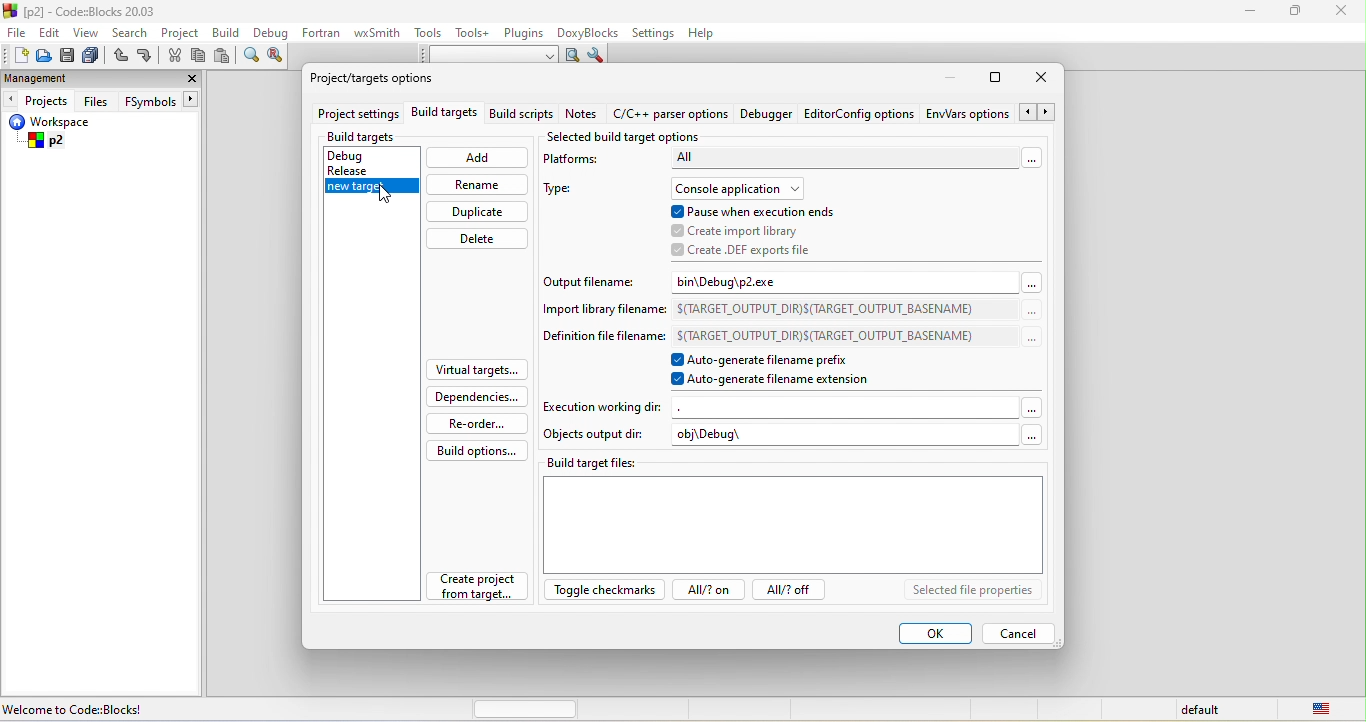 The height and width of the screenshot is (722, 1366). I want to click on save everything, so click(94, 55).